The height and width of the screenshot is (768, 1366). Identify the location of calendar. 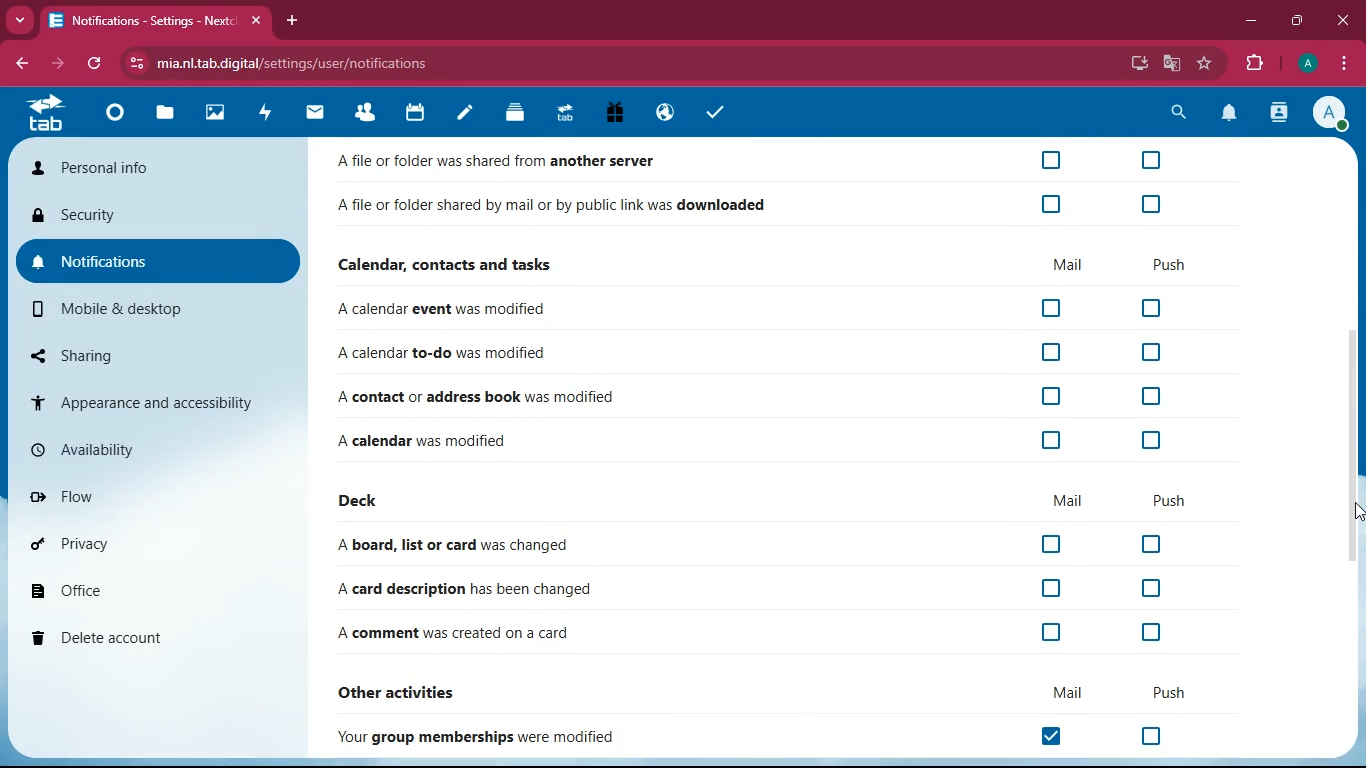
(415, 114).